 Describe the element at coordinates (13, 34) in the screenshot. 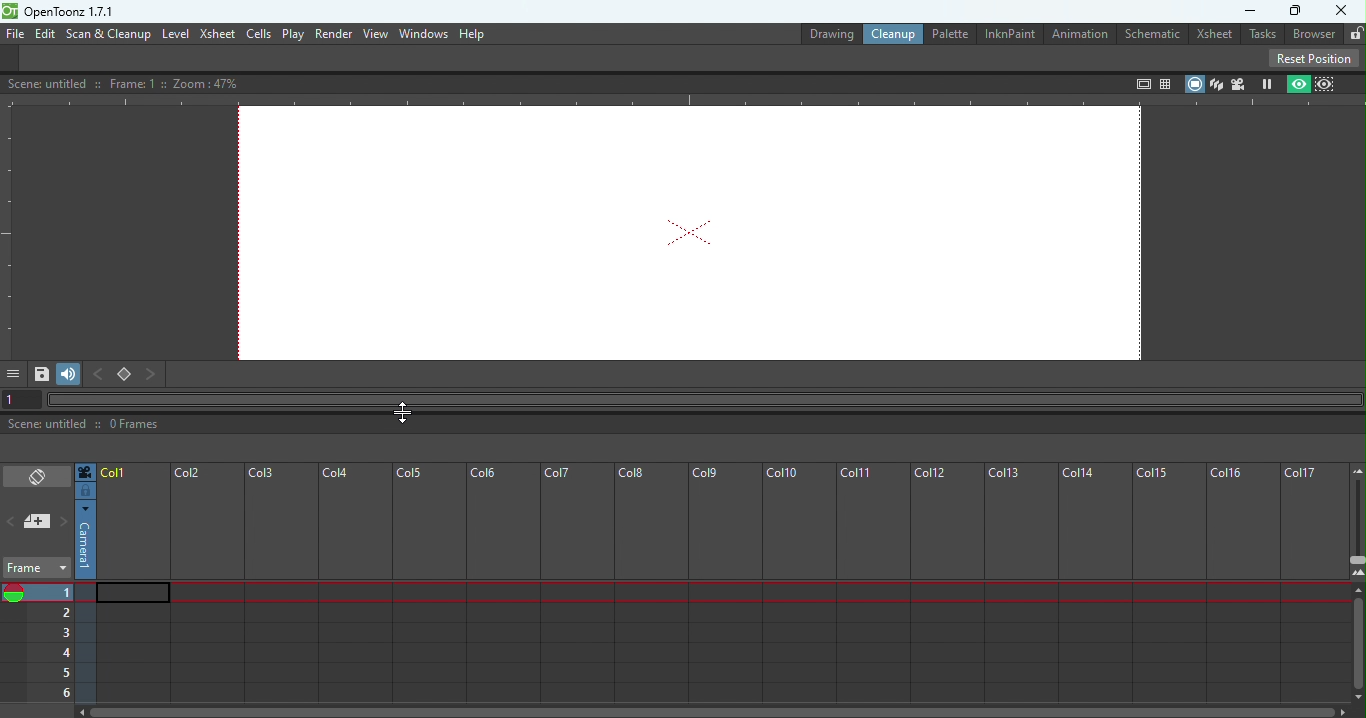

I see `File` at that location.